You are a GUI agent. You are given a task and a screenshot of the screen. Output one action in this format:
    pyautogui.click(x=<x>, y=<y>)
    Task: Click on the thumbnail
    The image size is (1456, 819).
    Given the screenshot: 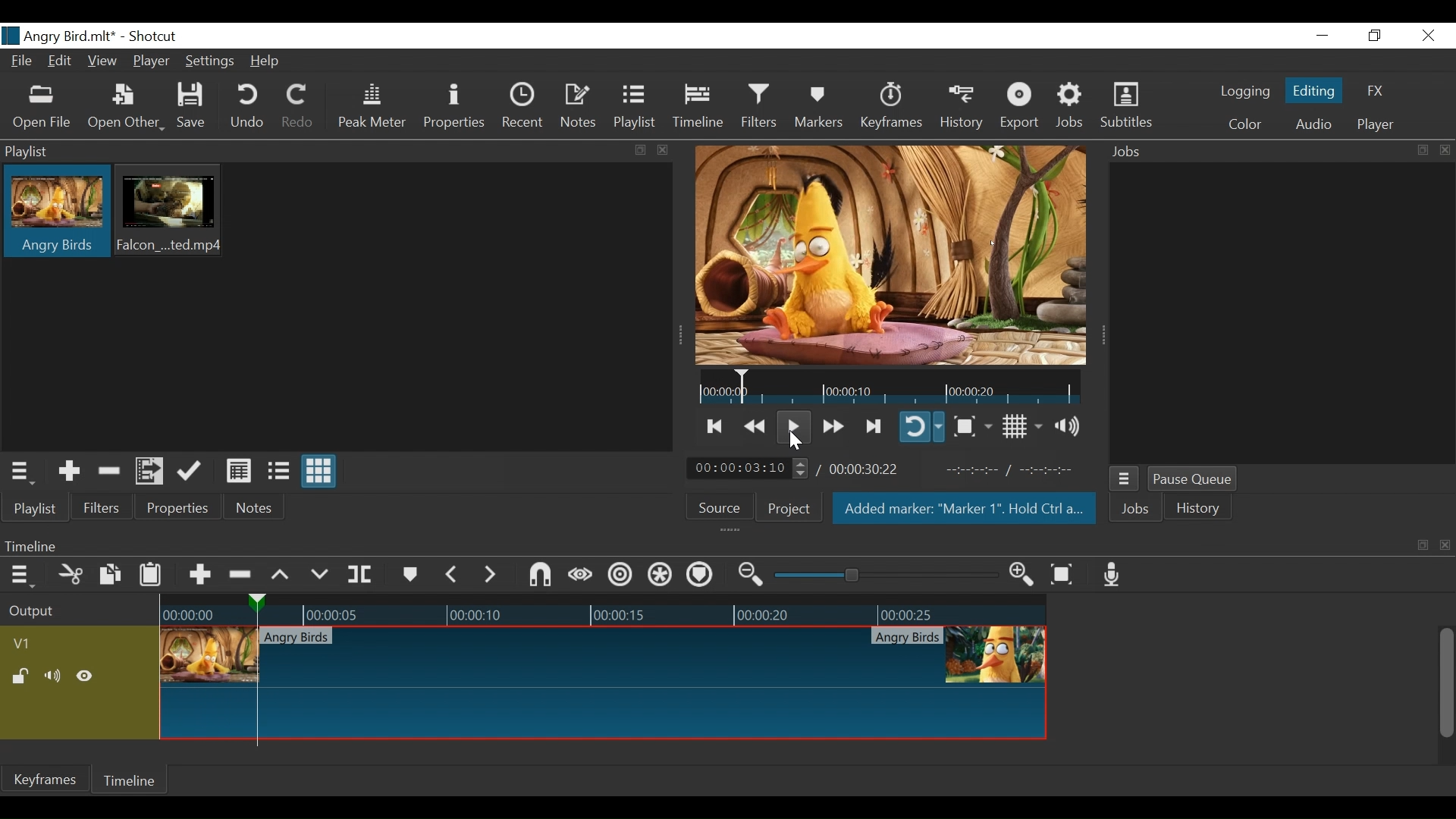 What is the action you would take?
    pyautogui.click(x=603, y=668)
    